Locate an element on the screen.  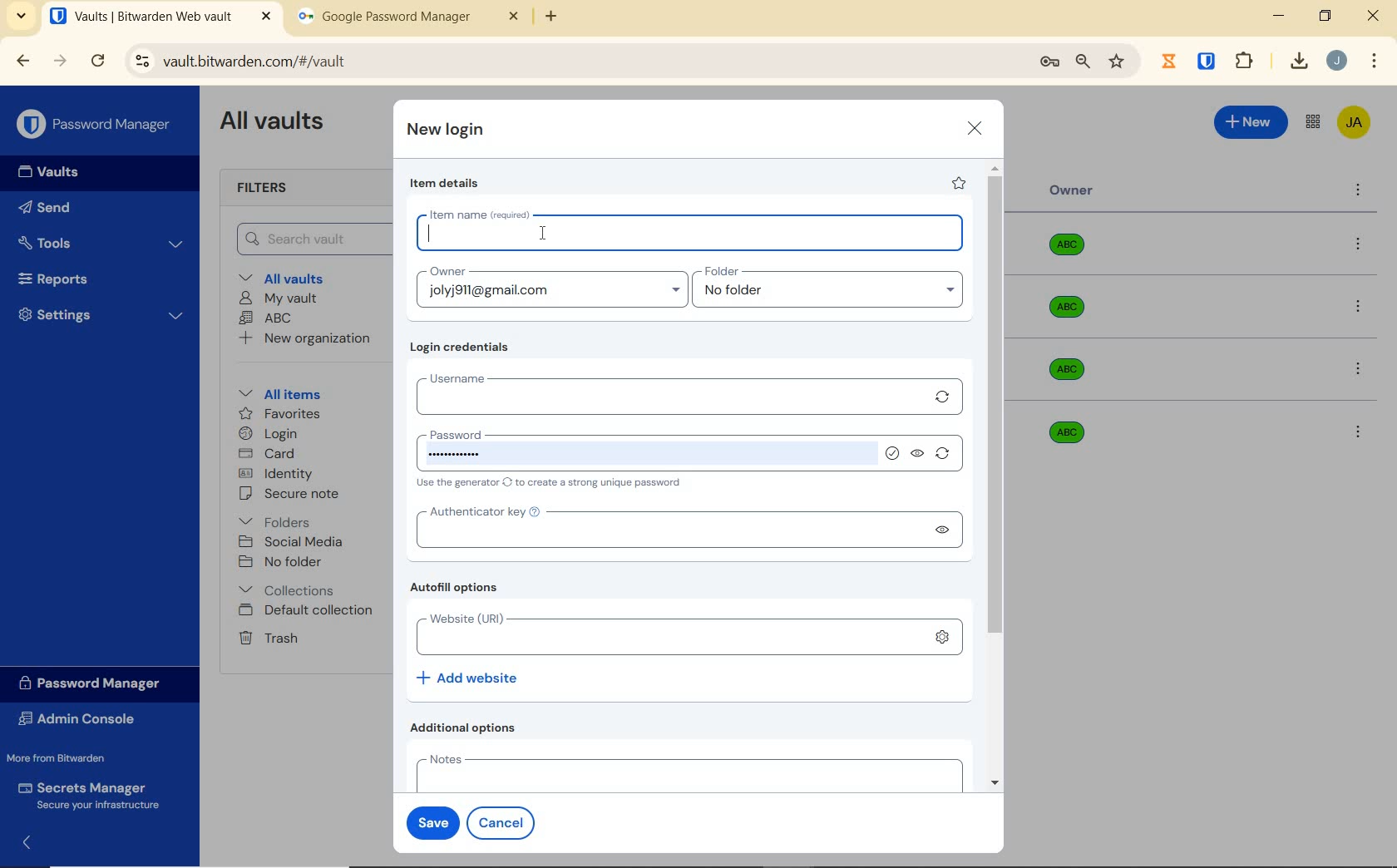
New organization is located at coordinates (303, 338).